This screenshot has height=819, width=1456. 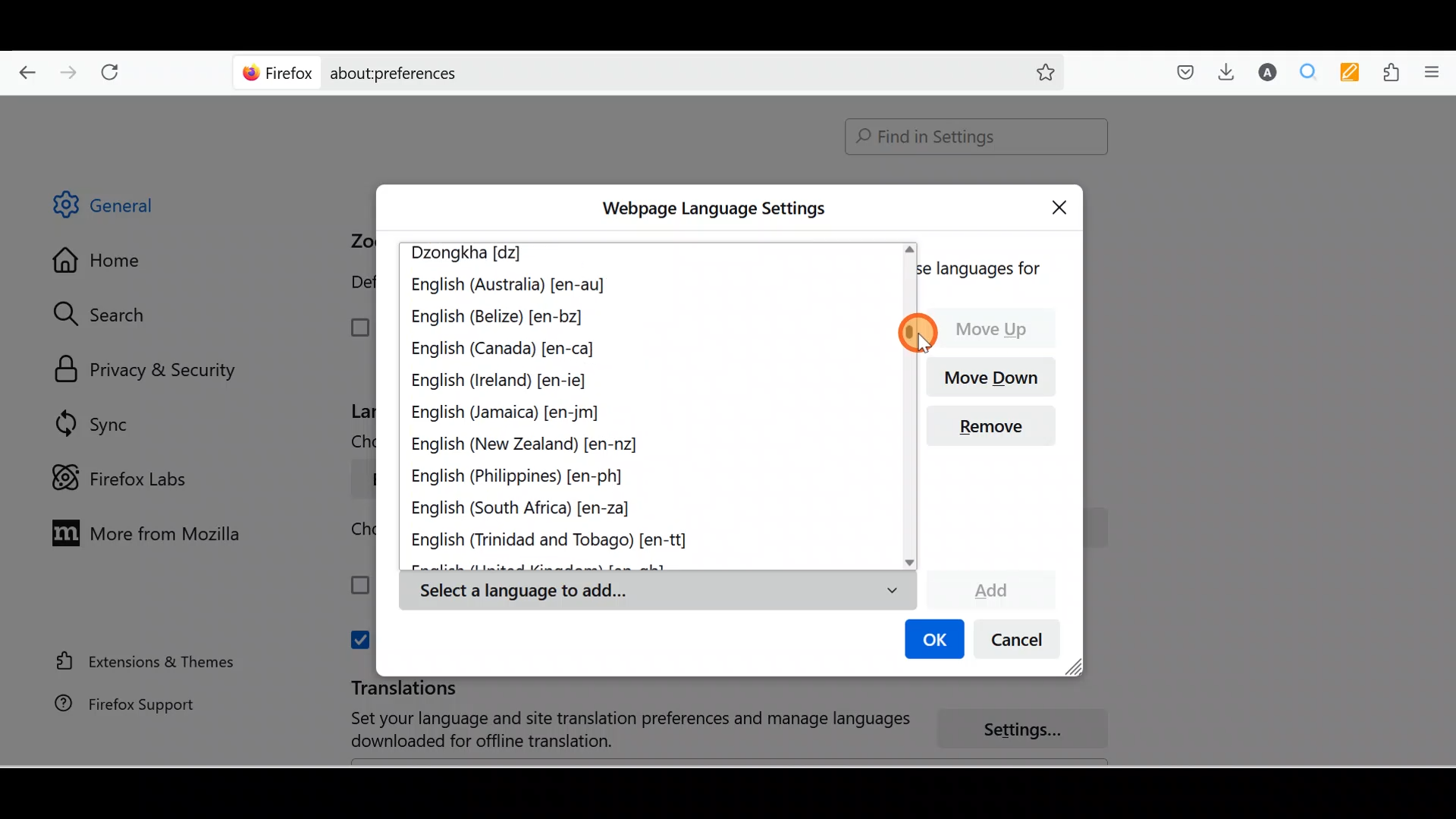 I want to click on Firefox support, so click(x=115, y=704).